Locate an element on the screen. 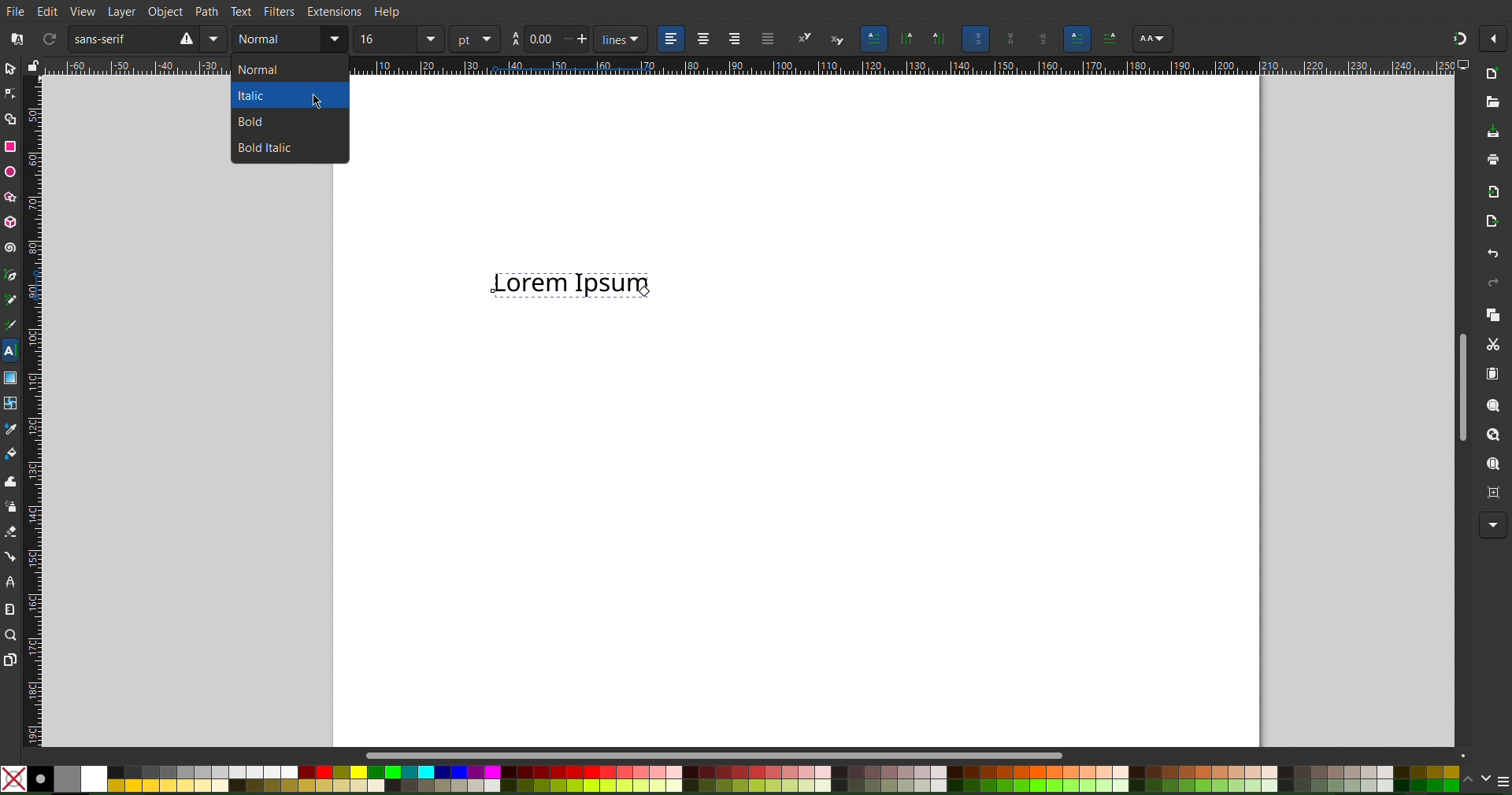 This screenshot has width=1512, height=795. Options is located at coordinates (1495, 40).